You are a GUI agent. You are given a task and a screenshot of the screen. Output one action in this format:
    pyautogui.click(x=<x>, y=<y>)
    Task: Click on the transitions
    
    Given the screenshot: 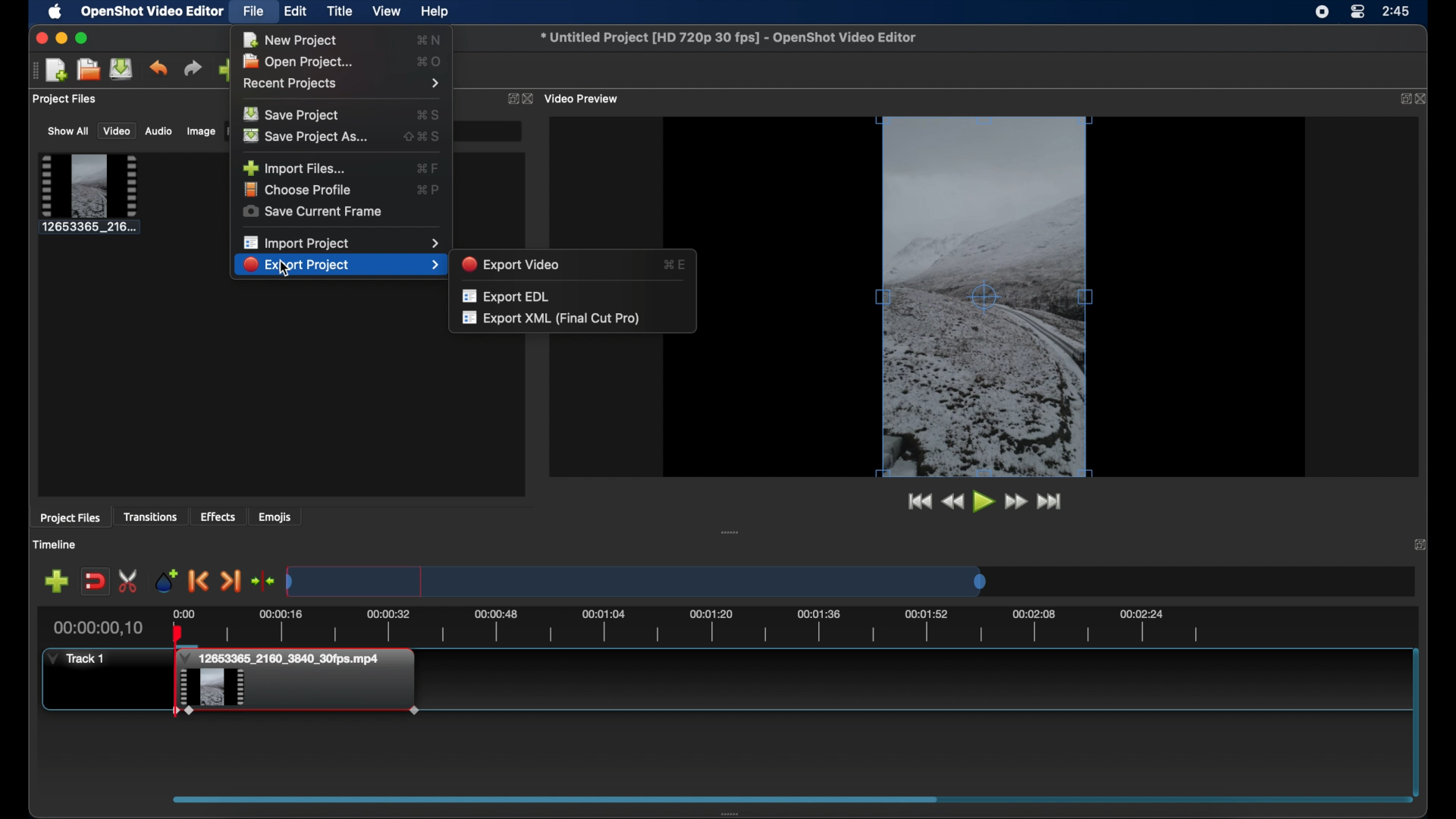 What is the action you would take?
    pyautogui.click(x=152, y=516)
    